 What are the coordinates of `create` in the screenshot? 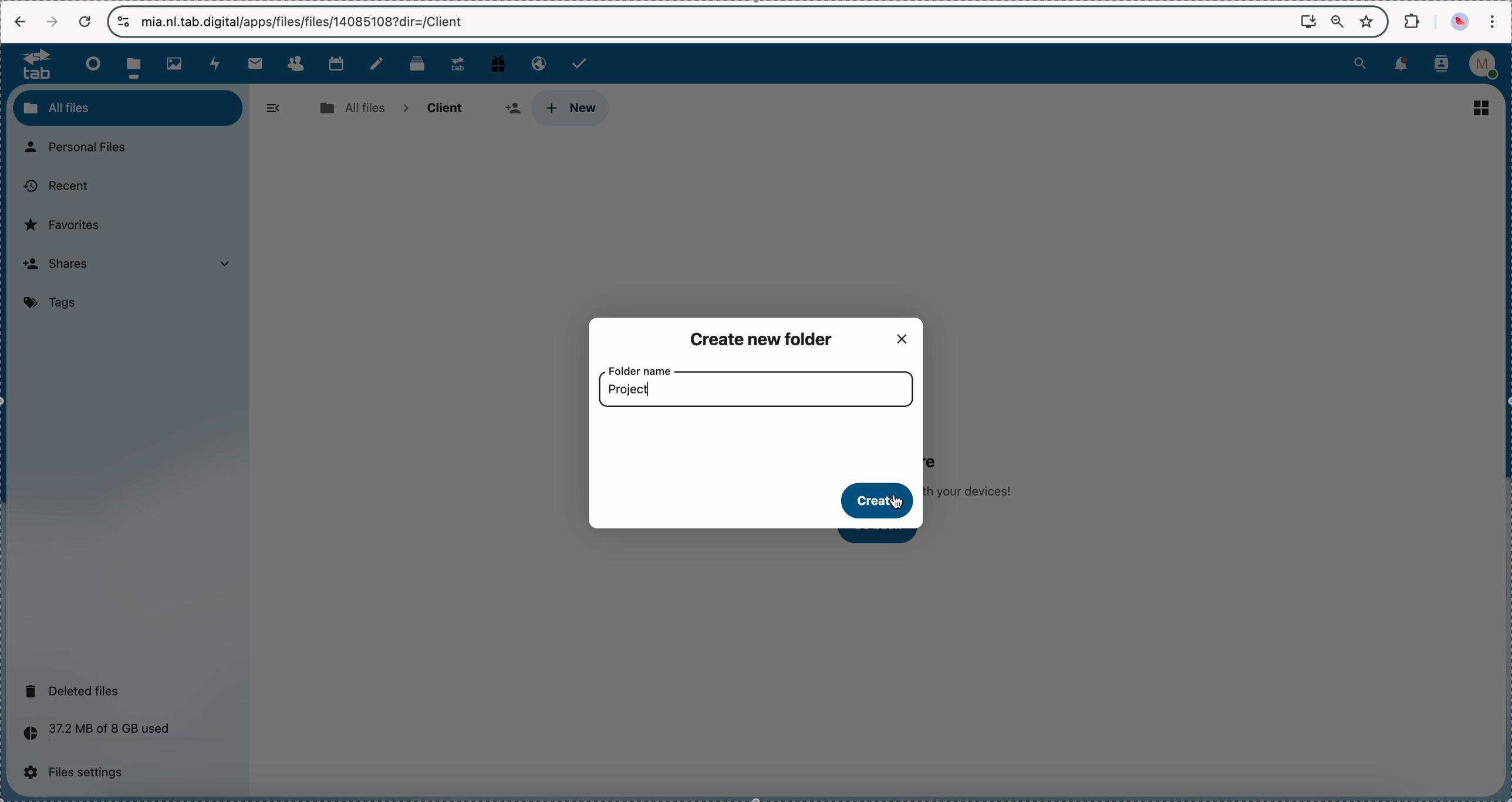 It's located at (879, 501).